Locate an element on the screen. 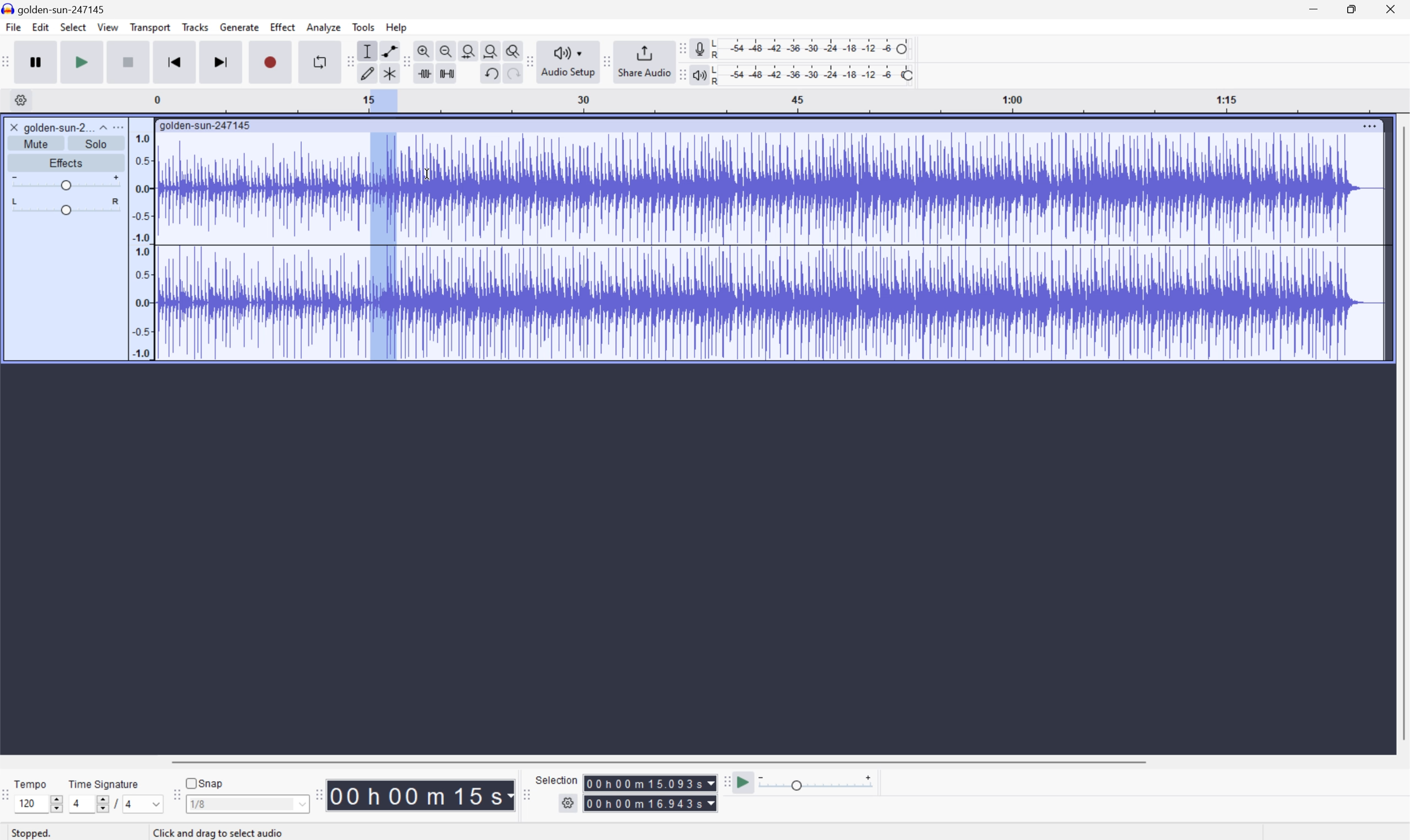 This screenshot has height=840, width=1410. Stopped is located at coordinates (37, 834).